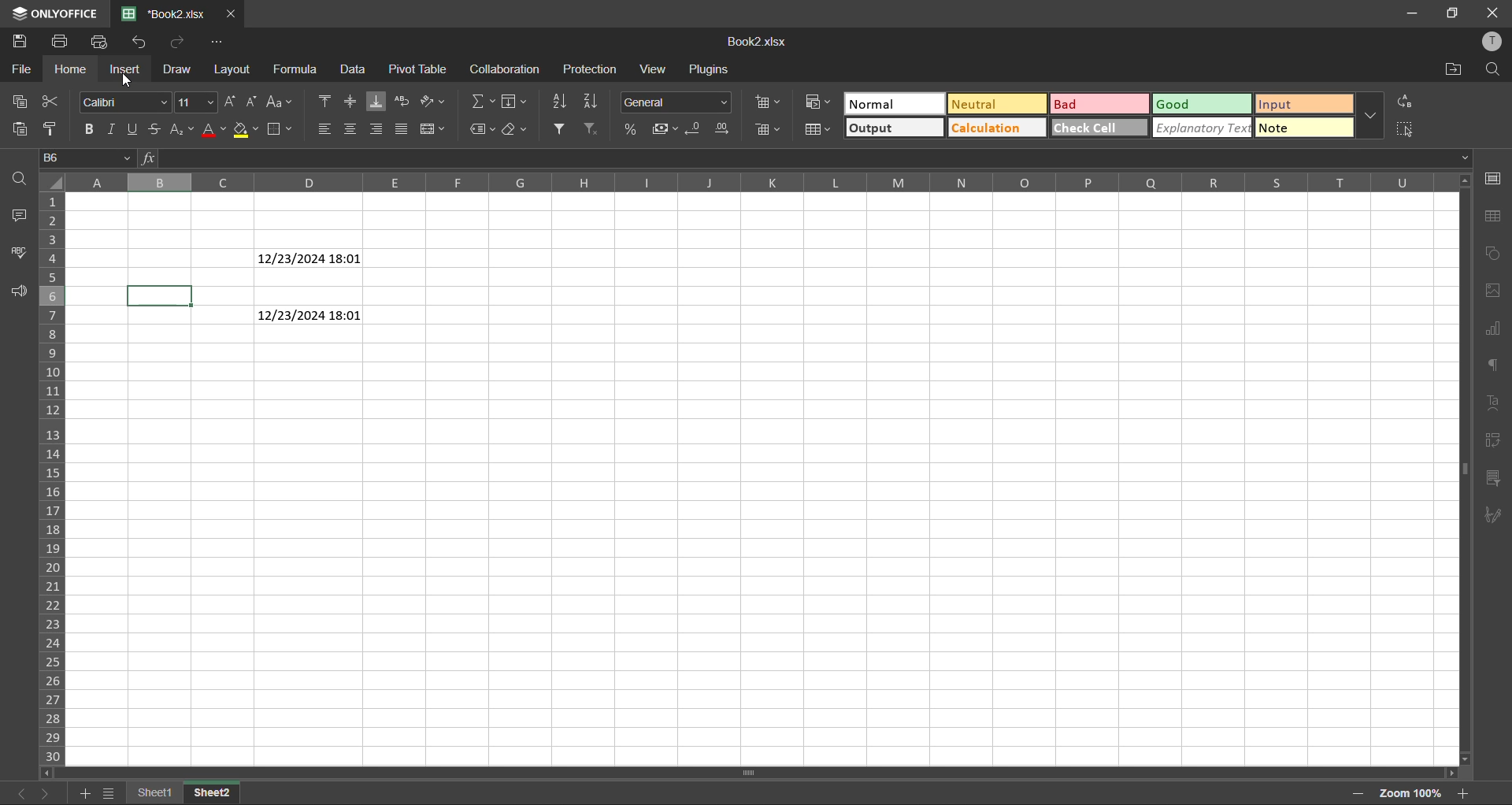 The image size is (1512, 805). Describe the element at coordinates (352, 128) in the screenshot. I see `align center` at that location.